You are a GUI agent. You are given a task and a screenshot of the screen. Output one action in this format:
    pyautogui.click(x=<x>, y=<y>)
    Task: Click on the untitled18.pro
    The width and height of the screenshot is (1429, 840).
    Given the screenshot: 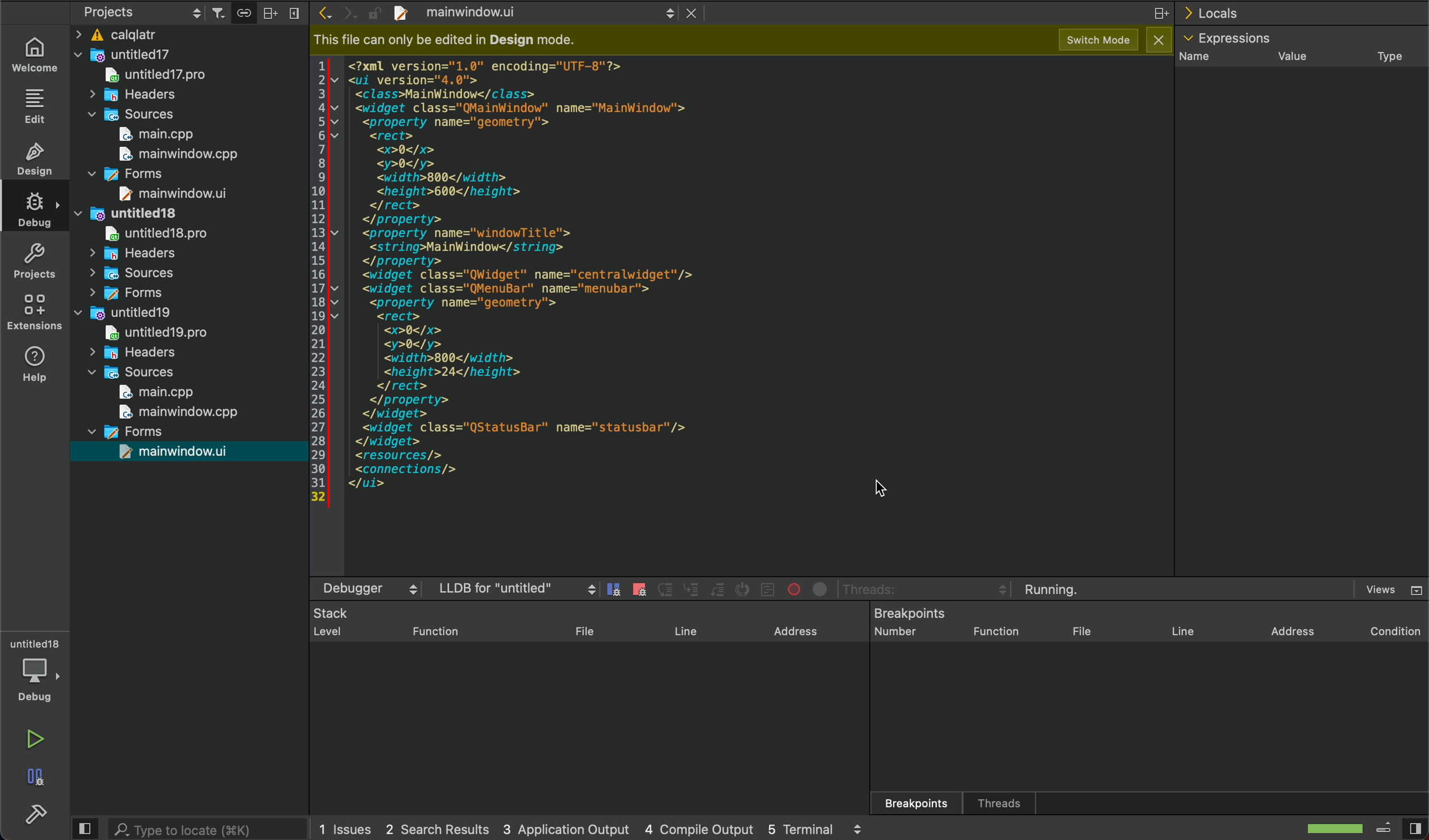 What is the action you would take?
    pyautogui.click(x=154, y=234)
    